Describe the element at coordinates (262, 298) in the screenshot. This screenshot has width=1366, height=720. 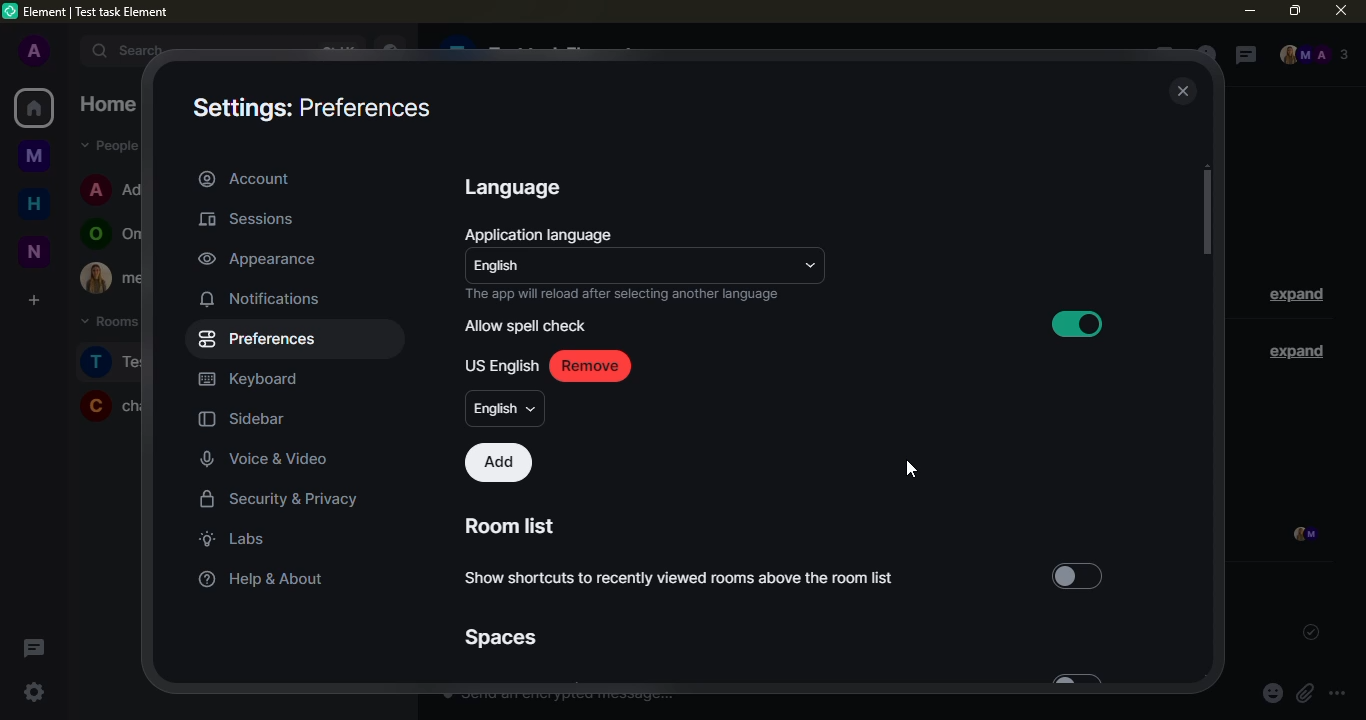
I see `notifications` at that location.